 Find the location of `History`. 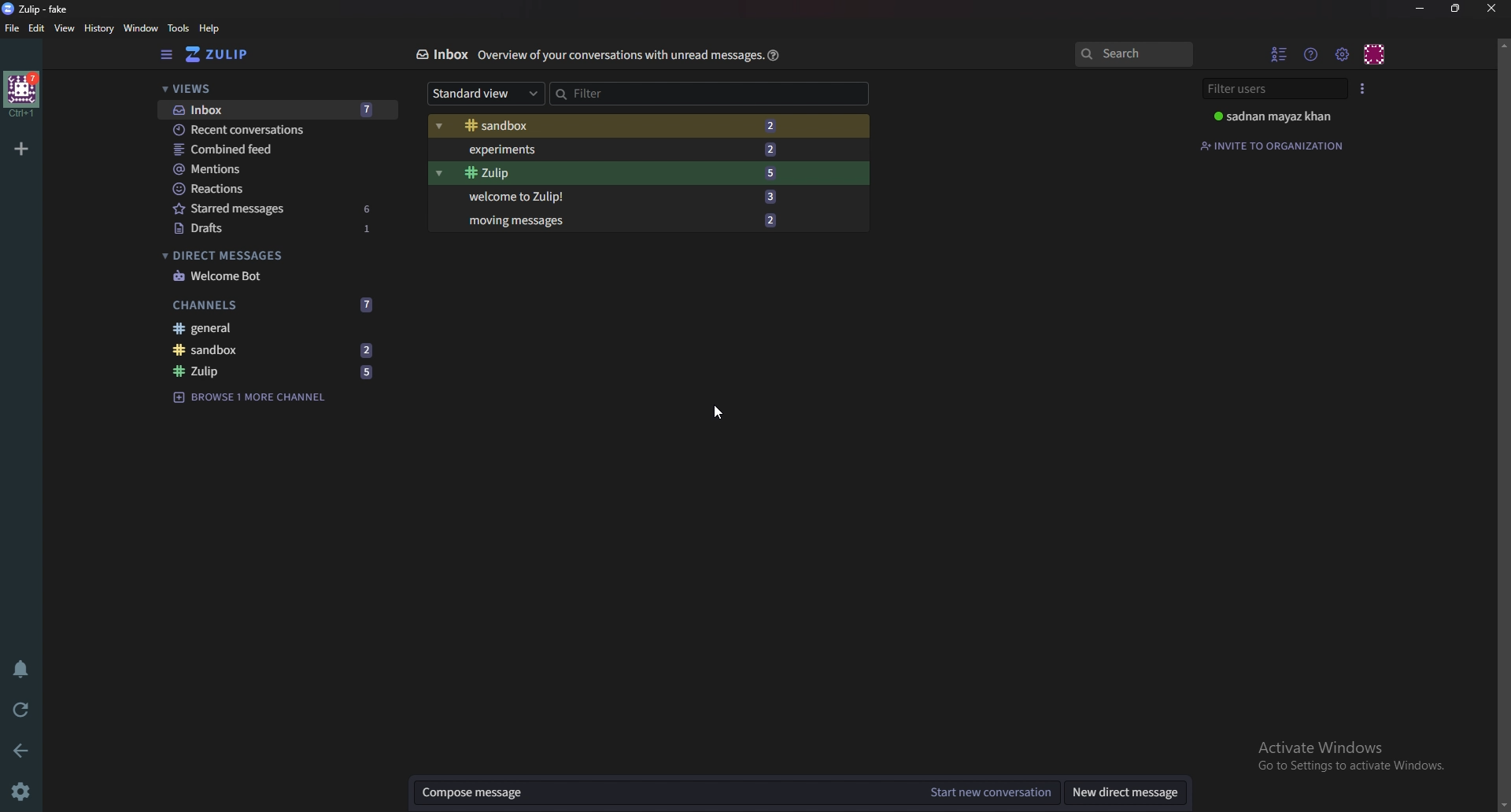

History is located at coordinates (99, 30).